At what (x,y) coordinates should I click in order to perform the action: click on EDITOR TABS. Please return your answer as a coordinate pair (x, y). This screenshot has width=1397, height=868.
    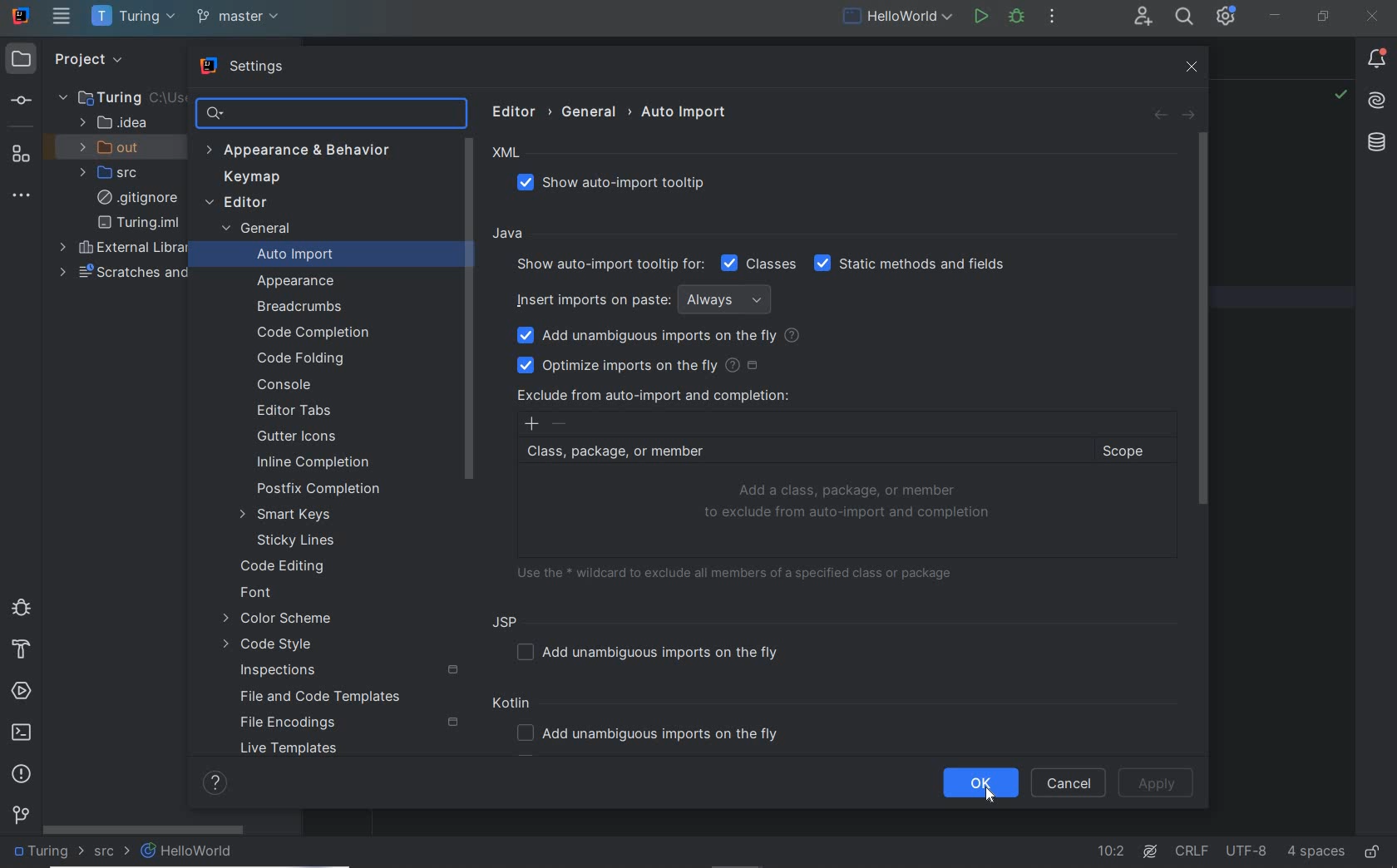
    Looking at the image, I should click on (299, 412).